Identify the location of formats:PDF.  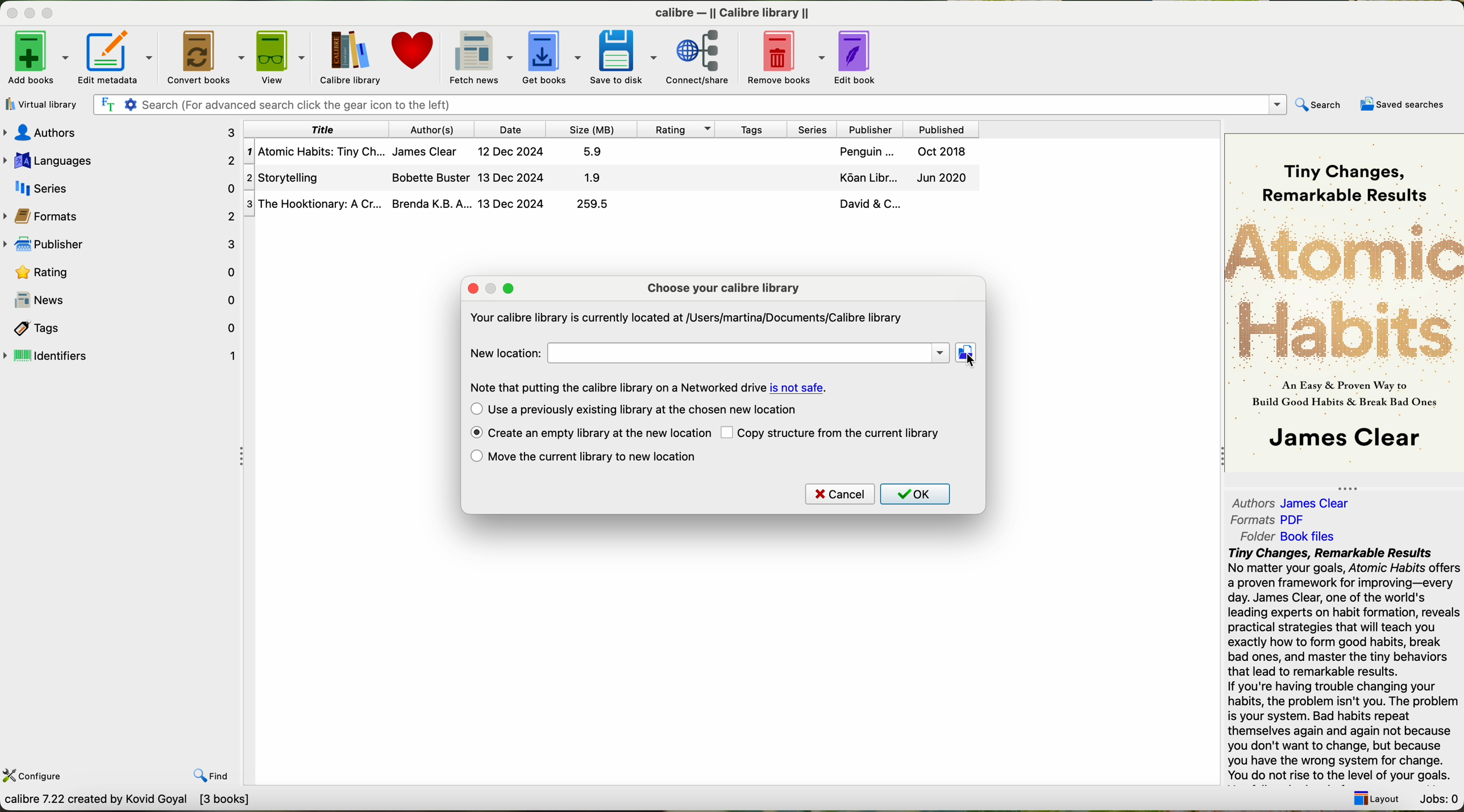
(1272, 520).